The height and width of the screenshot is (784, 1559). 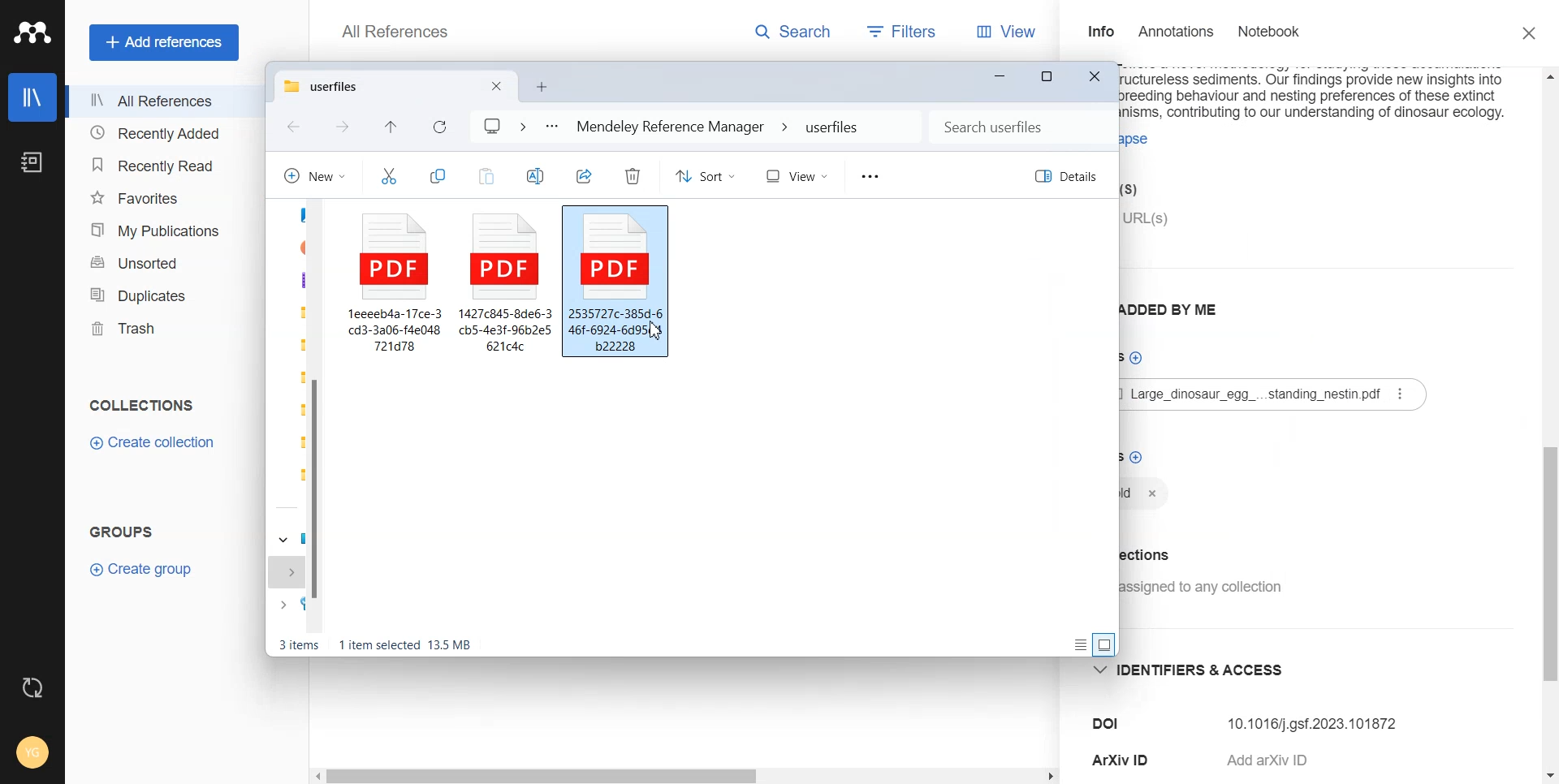 I want to click on Text, so click(x=378, y=642).